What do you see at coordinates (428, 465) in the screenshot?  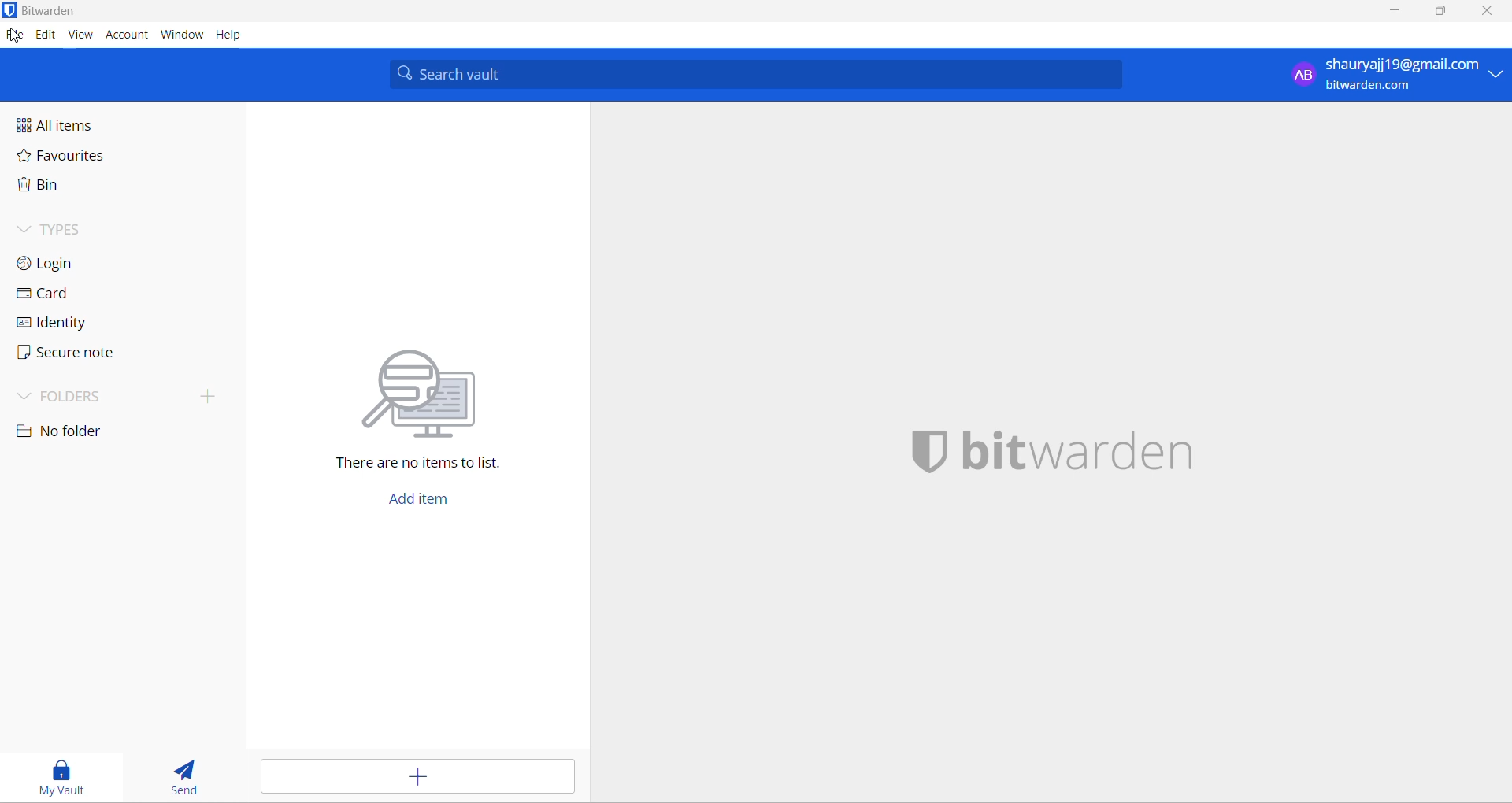 I see `sentence informing there are no items to list ` at bounding box center [428, 465].